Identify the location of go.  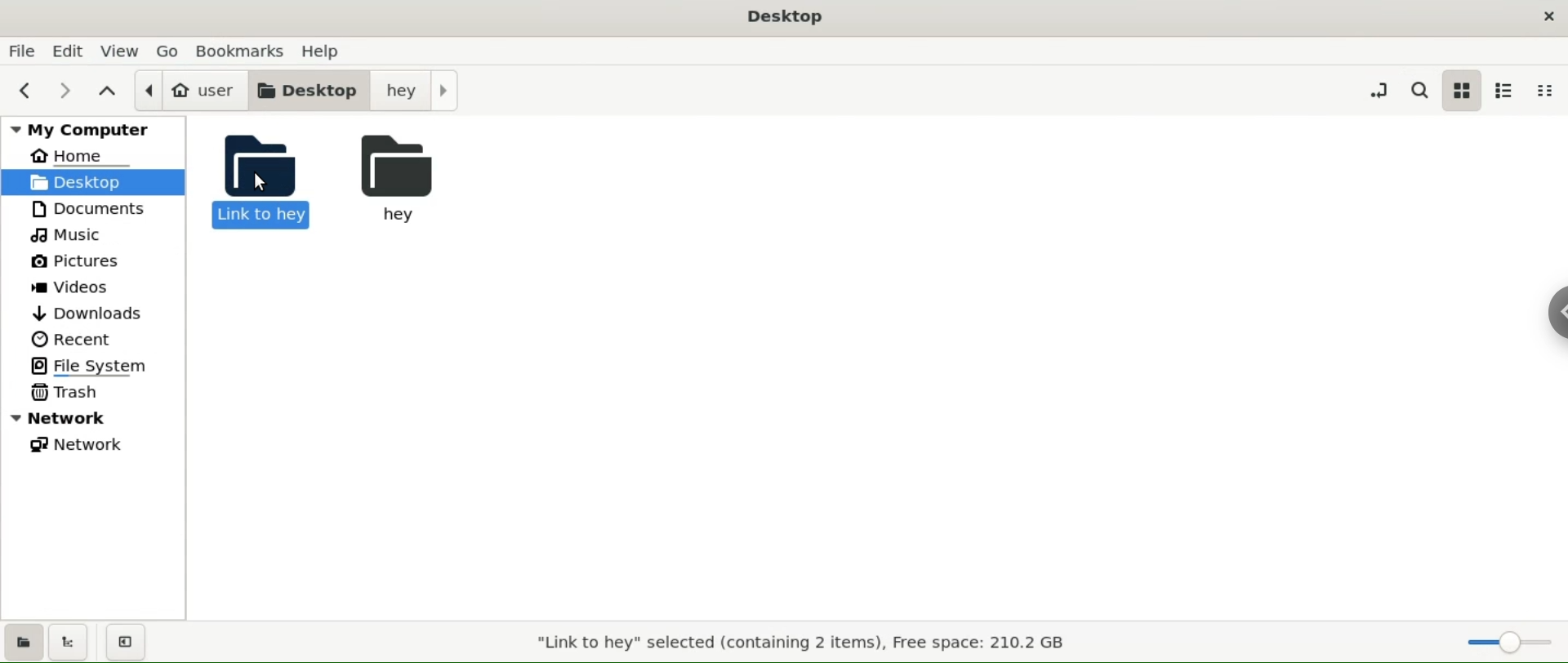
(167, 50).